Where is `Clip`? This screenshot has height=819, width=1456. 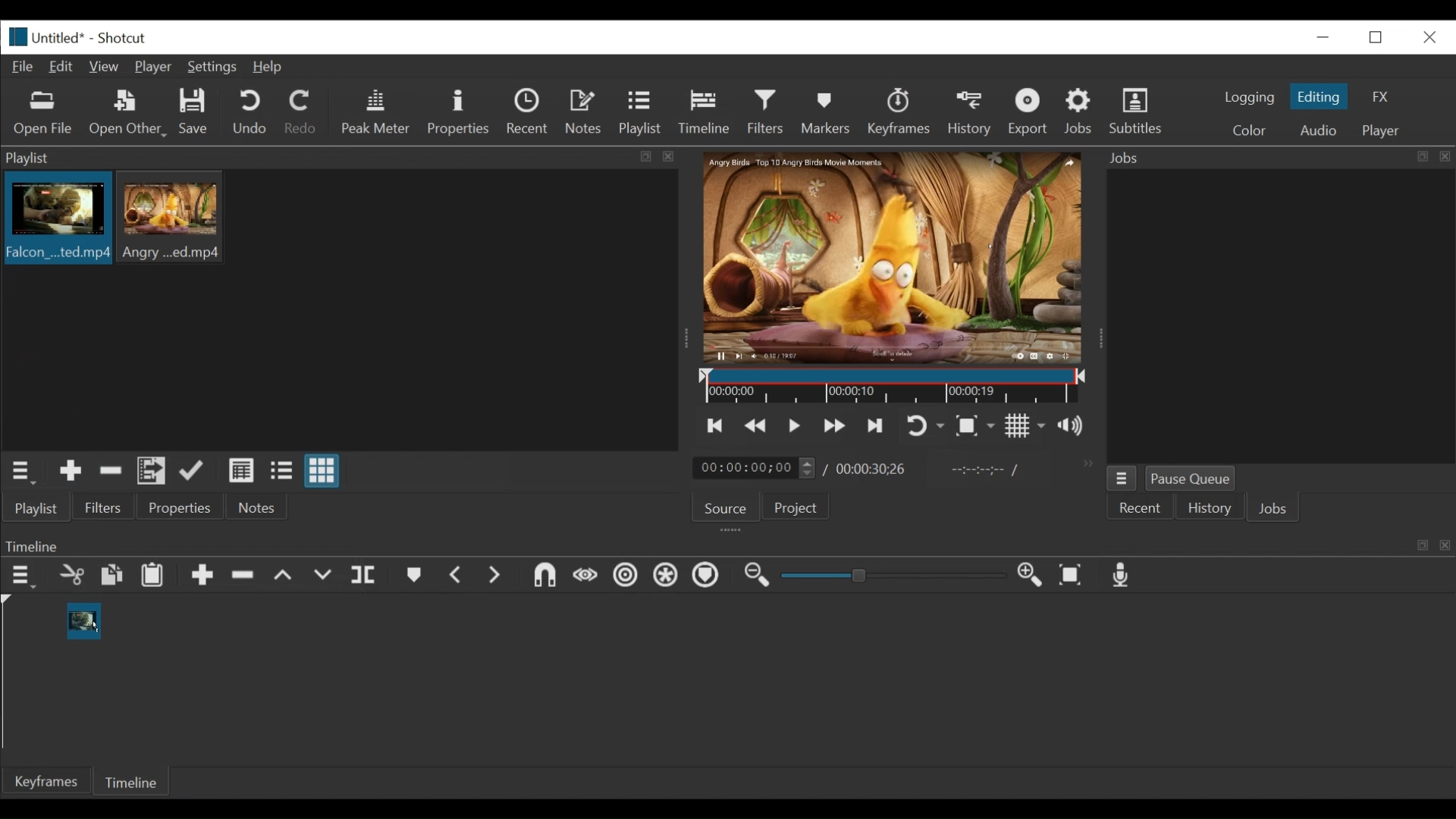
Clip is located at coordinates (81, 618).